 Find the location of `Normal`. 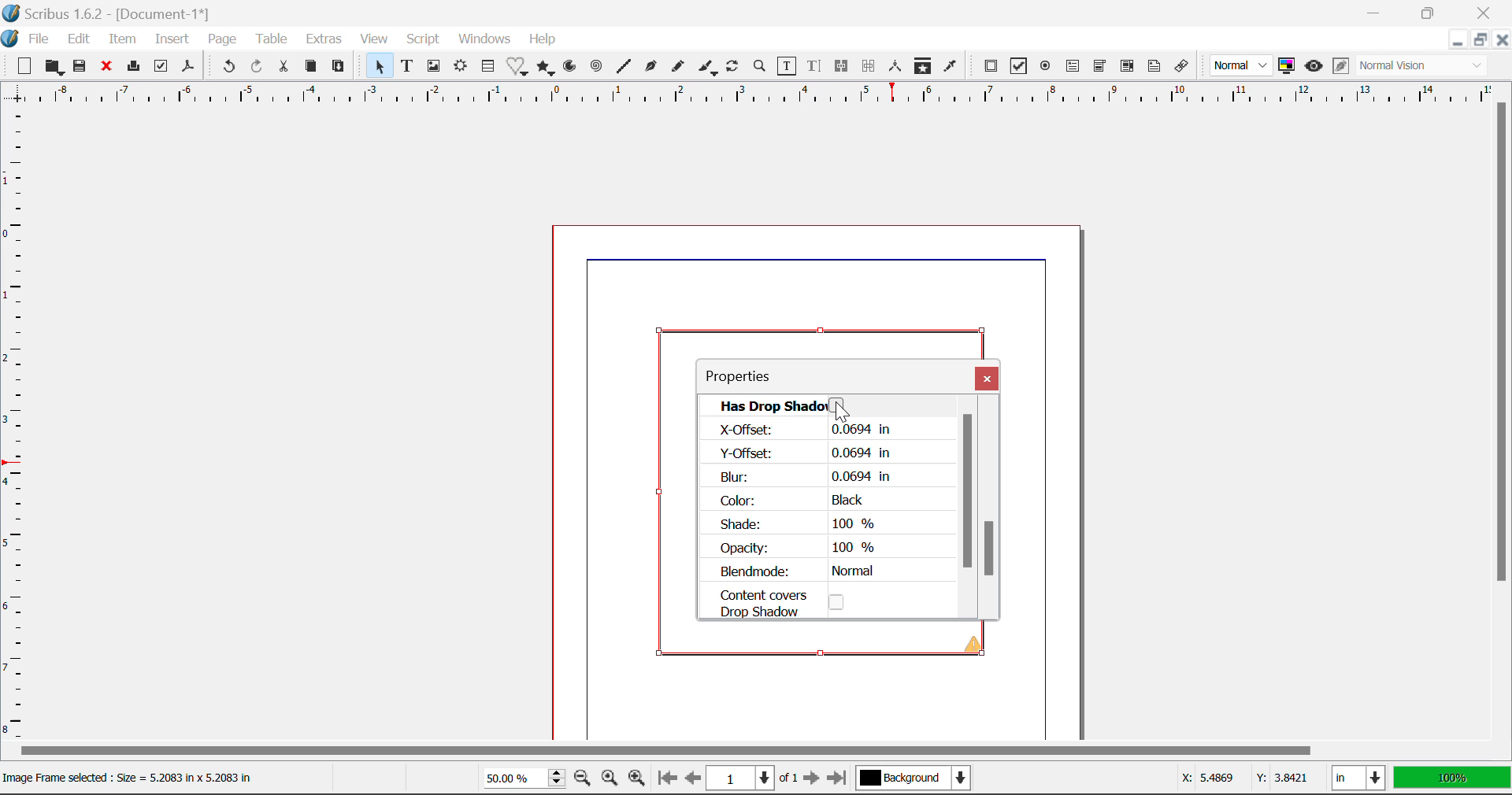

Normal is located at coordinates (1242, 65).